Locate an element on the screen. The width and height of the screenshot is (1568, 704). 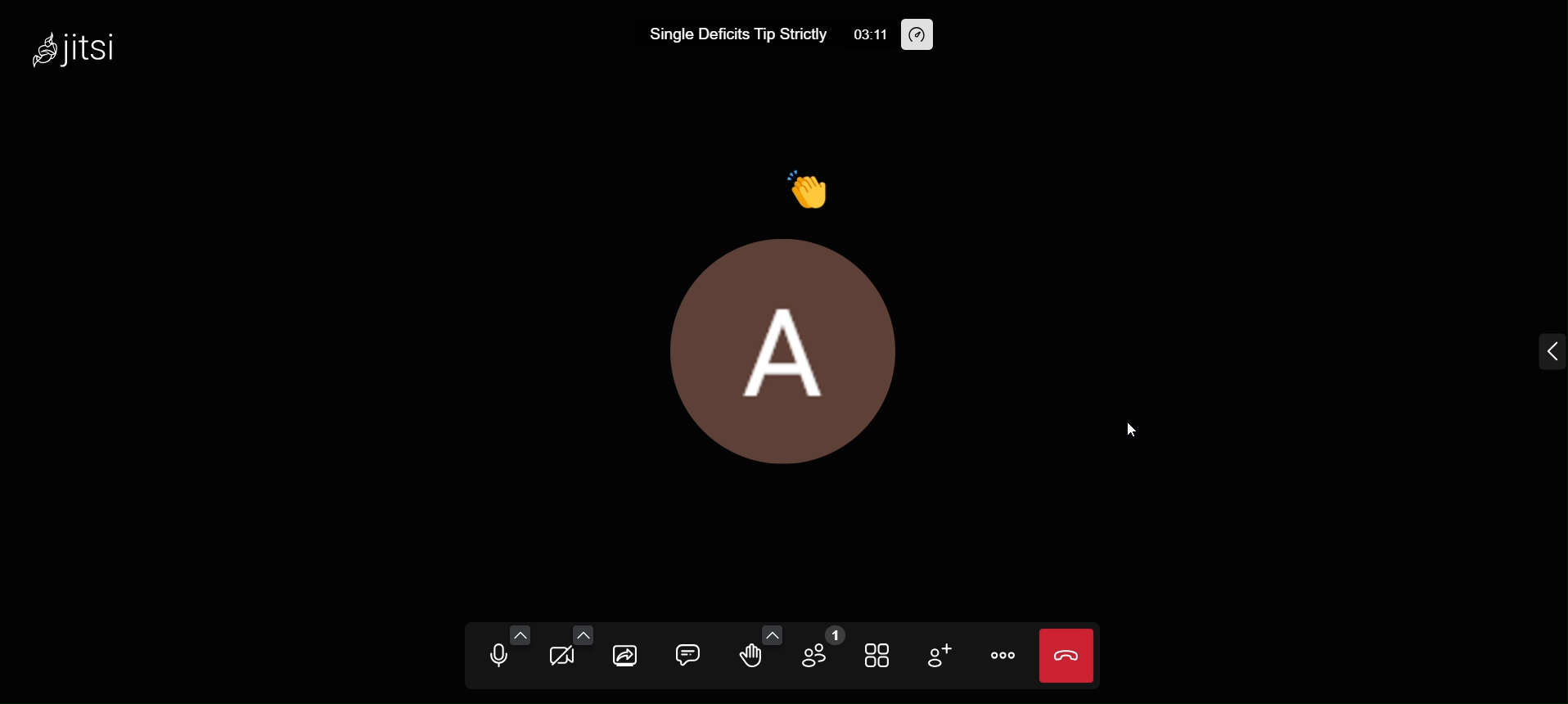
Clap Reaction is located at coordinates (813, 183).